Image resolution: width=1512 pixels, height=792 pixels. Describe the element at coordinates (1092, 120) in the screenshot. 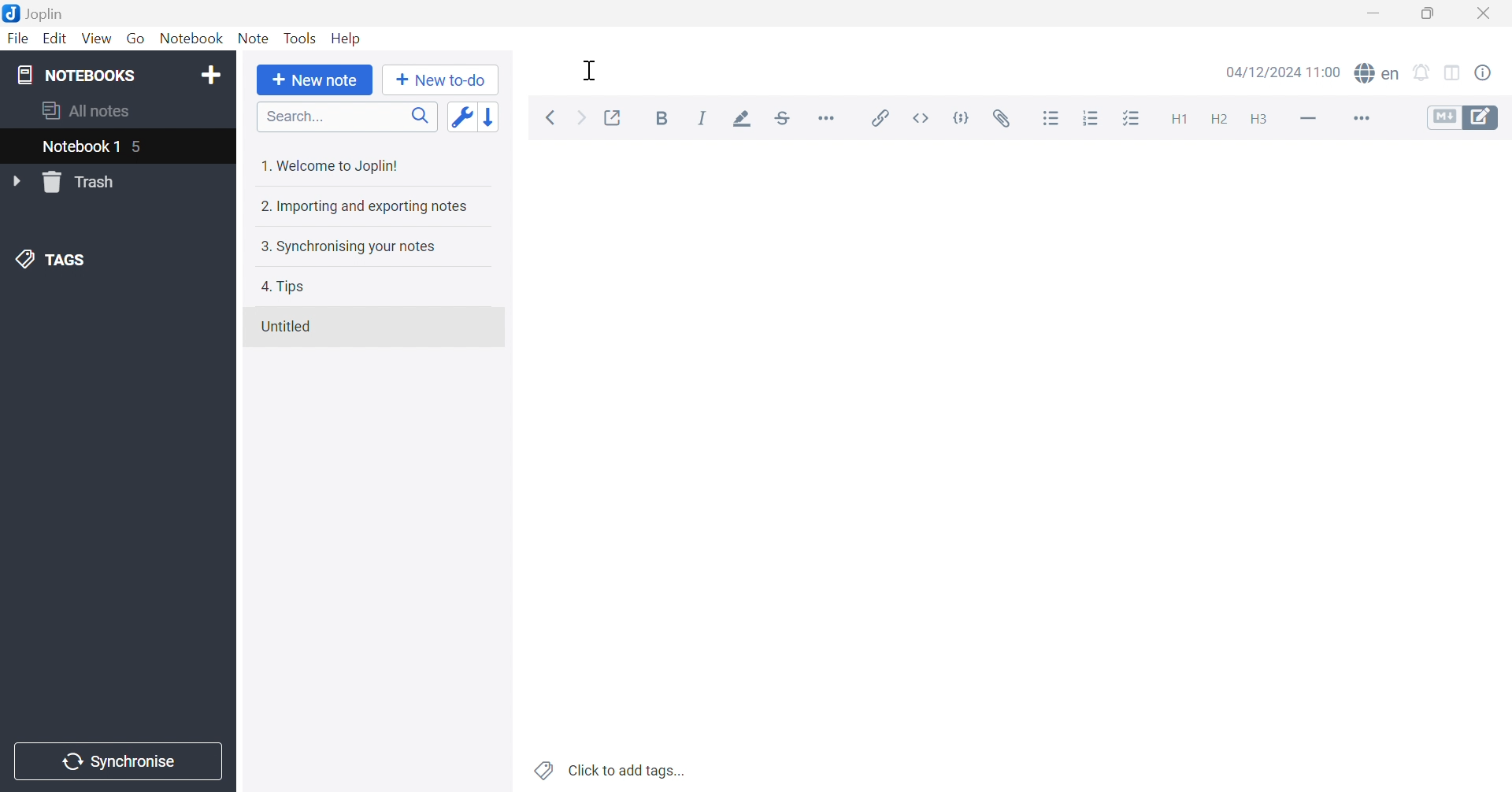

I see `Numbered list` at that location.